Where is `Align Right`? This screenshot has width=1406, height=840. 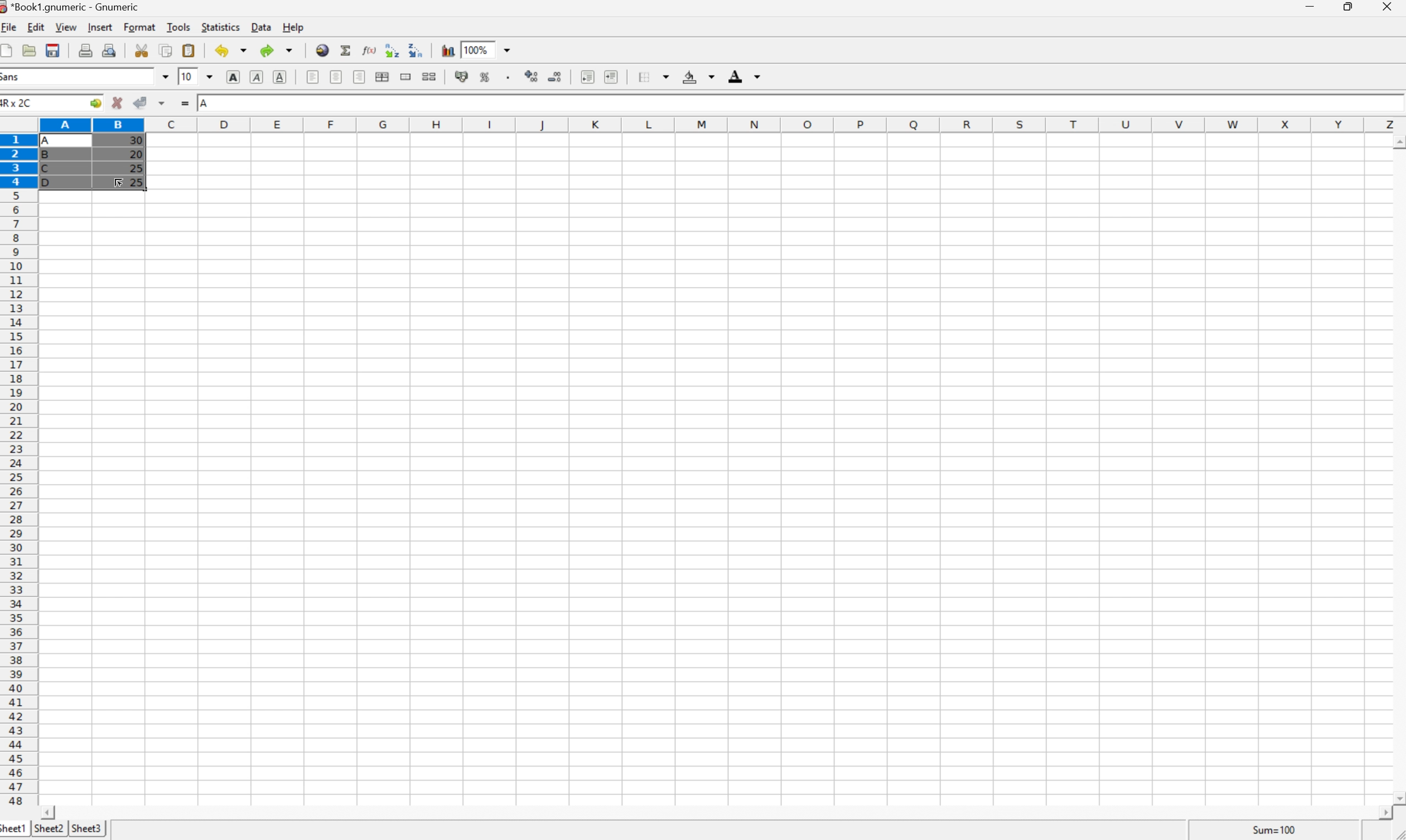
Align Right is located at coordinates (360, 77).